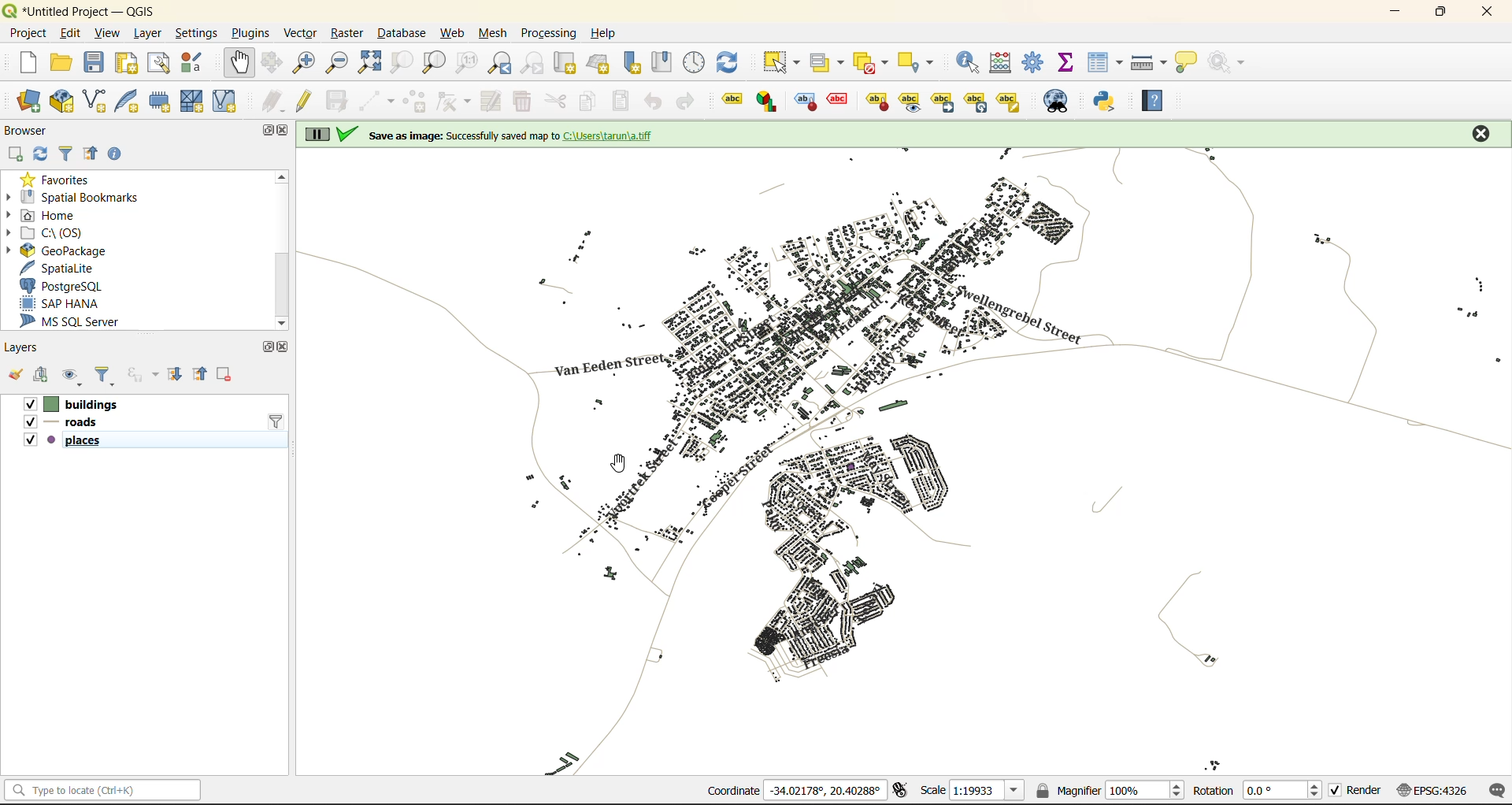  What do you see at coordinates (401, 34) in the screenshot?
I see `database` at bounding box center [401, 34].